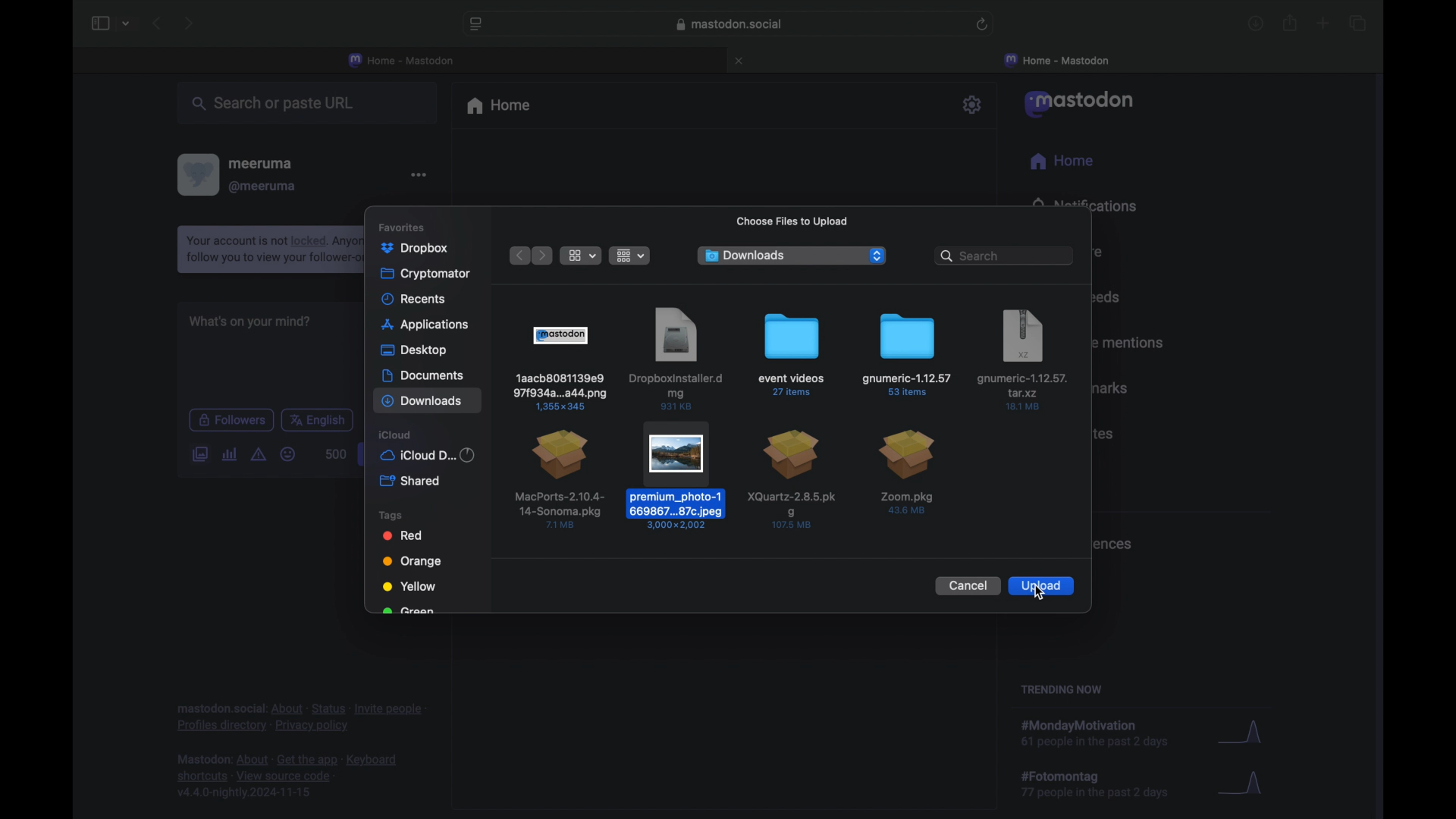 This screenshot has height=819, width=1456. What do you see at coordinates (730, 24) in the screenshot?
I see `web address` at bounding box center [730, 24].